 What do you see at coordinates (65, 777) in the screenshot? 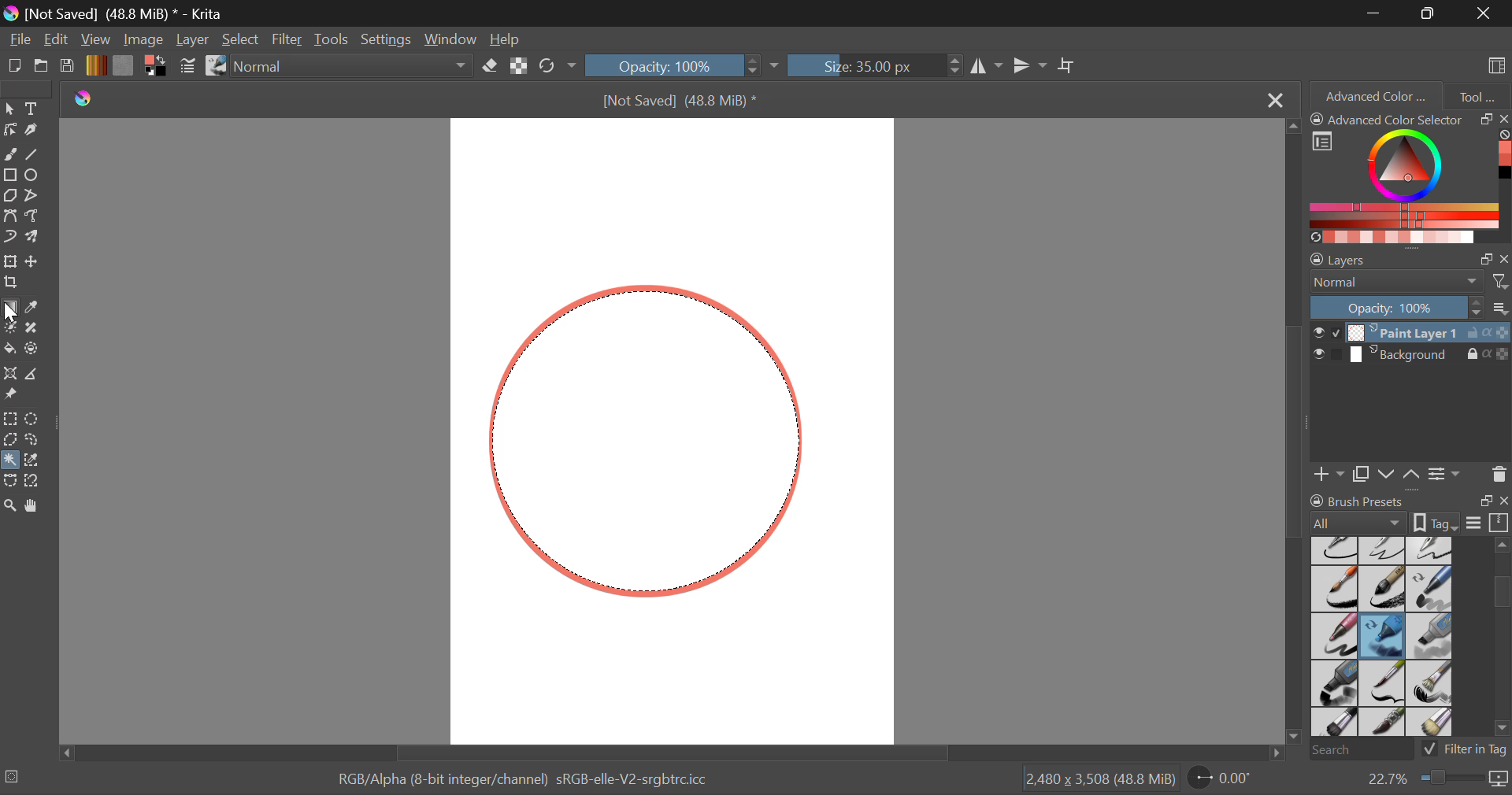
I see `Selected Brush Preset` at bounding box center [65, 777].